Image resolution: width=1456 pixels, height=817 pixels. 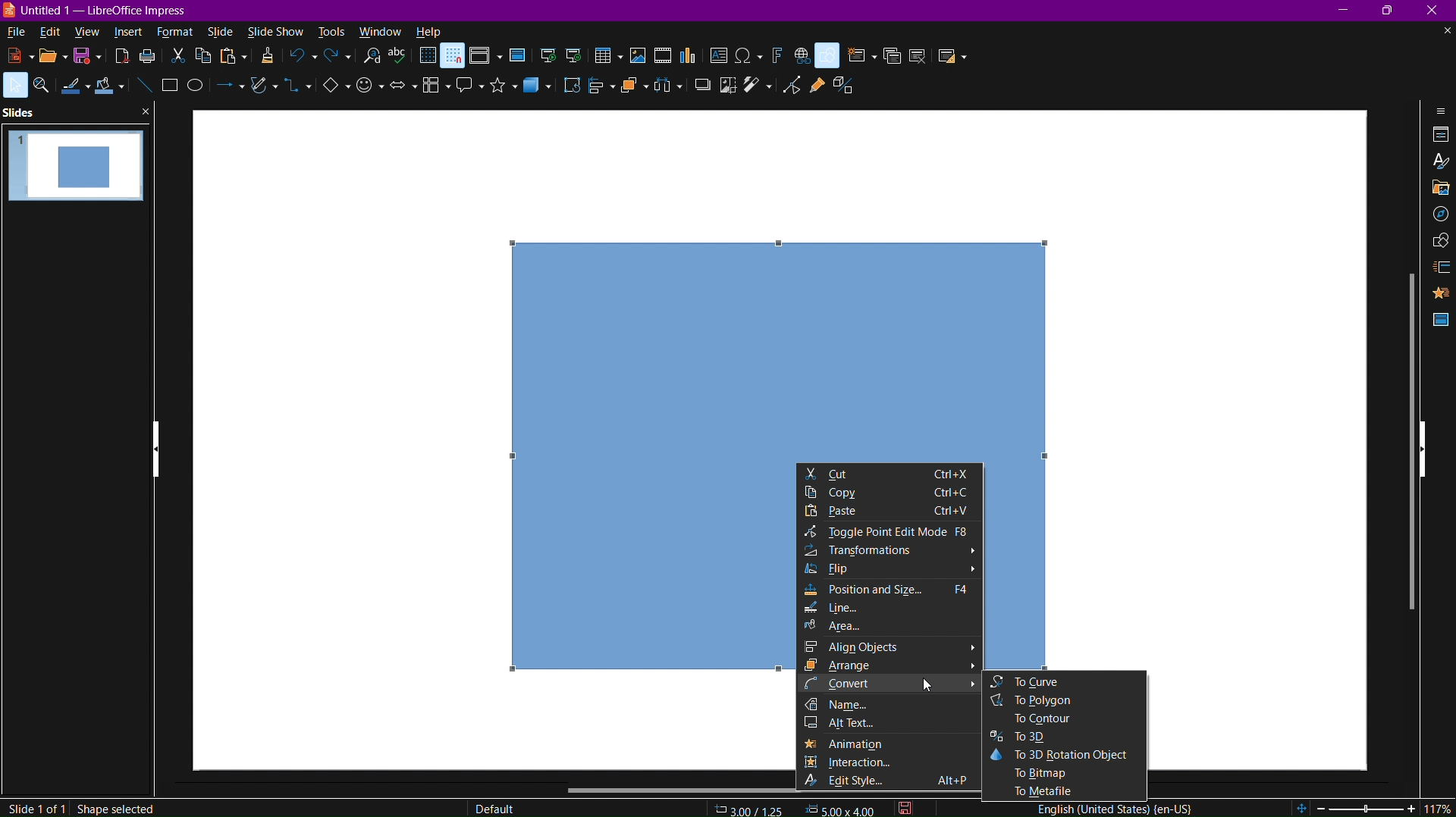 I want to click on Insert Table, so click(x=608, y=57).